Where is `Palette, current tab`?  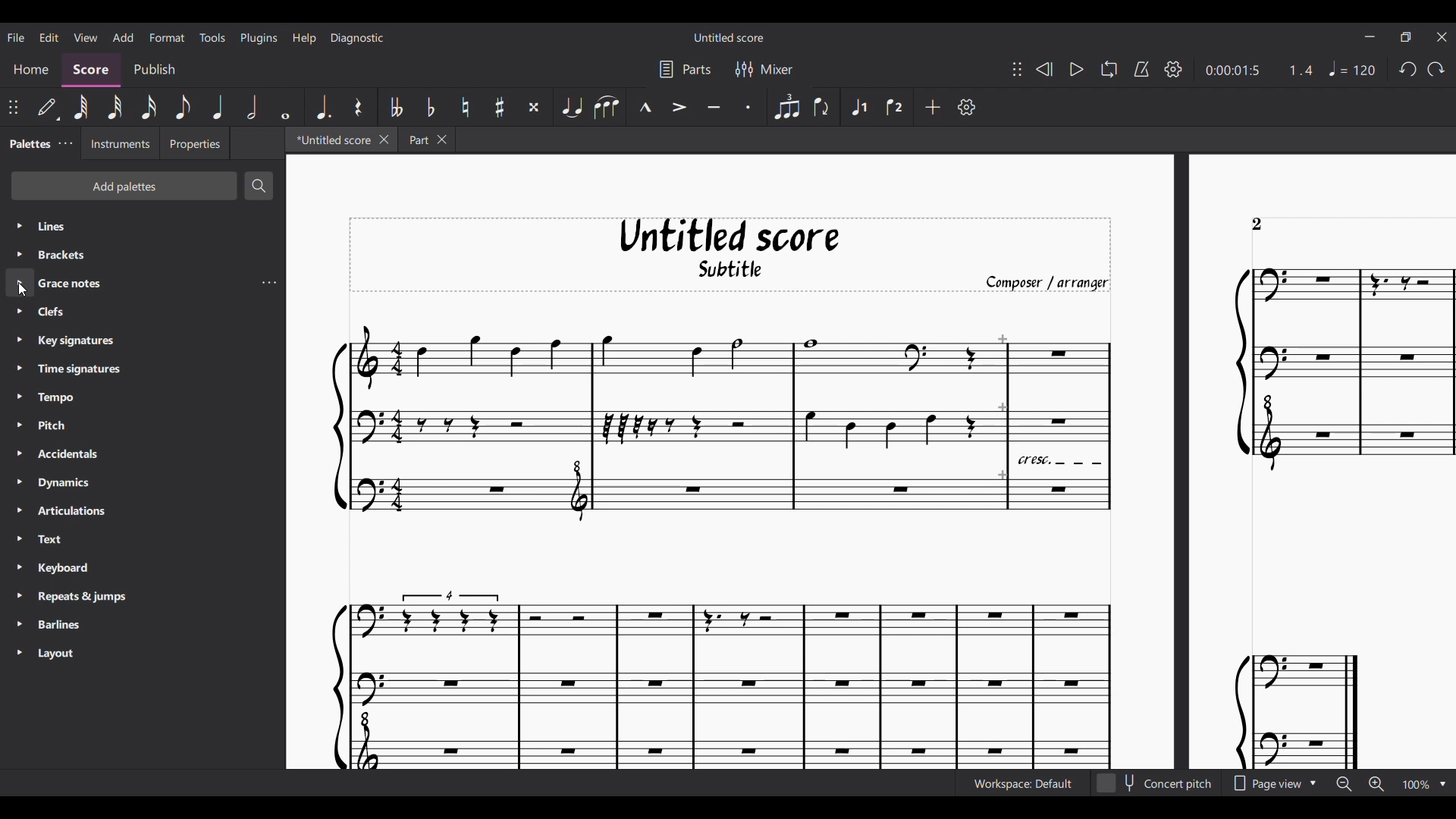
Palette, current tab is located at coordinates (28, 143).